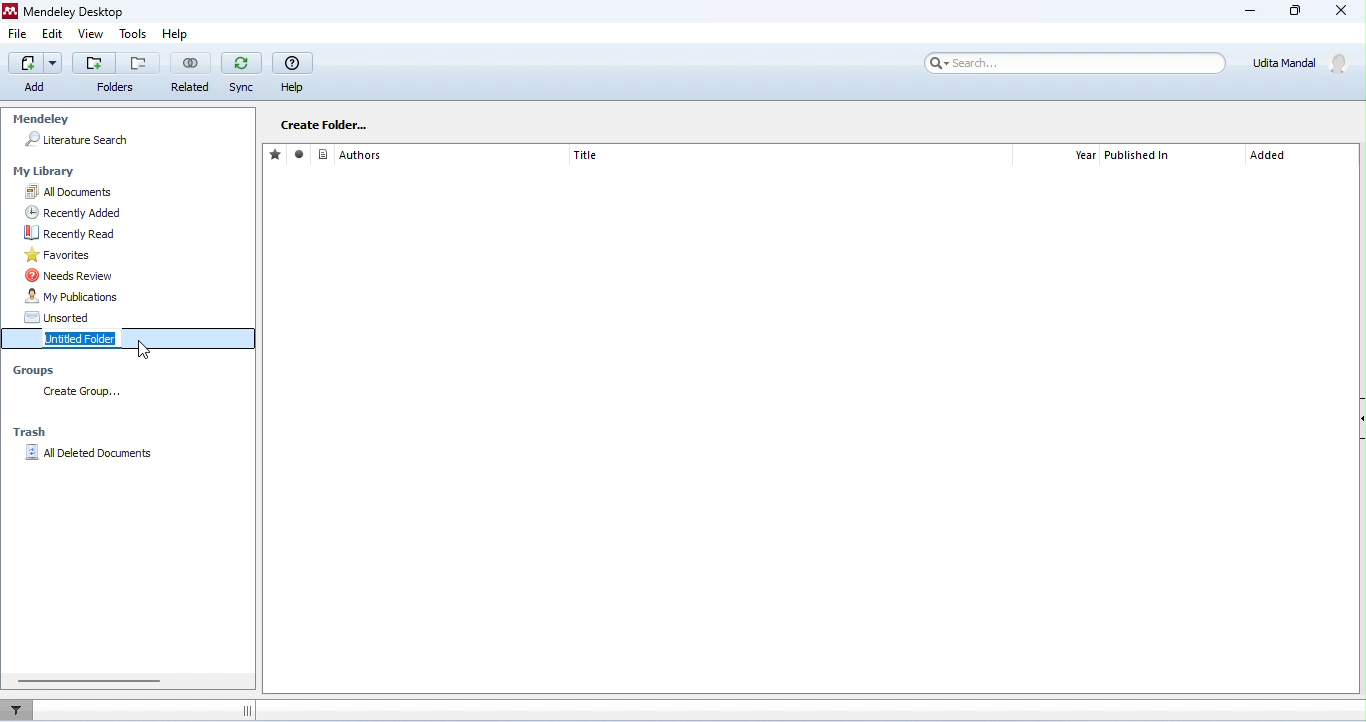  Describe the element at coordinates (429, 123) in the screenshot. I see `edit settings` at that location.